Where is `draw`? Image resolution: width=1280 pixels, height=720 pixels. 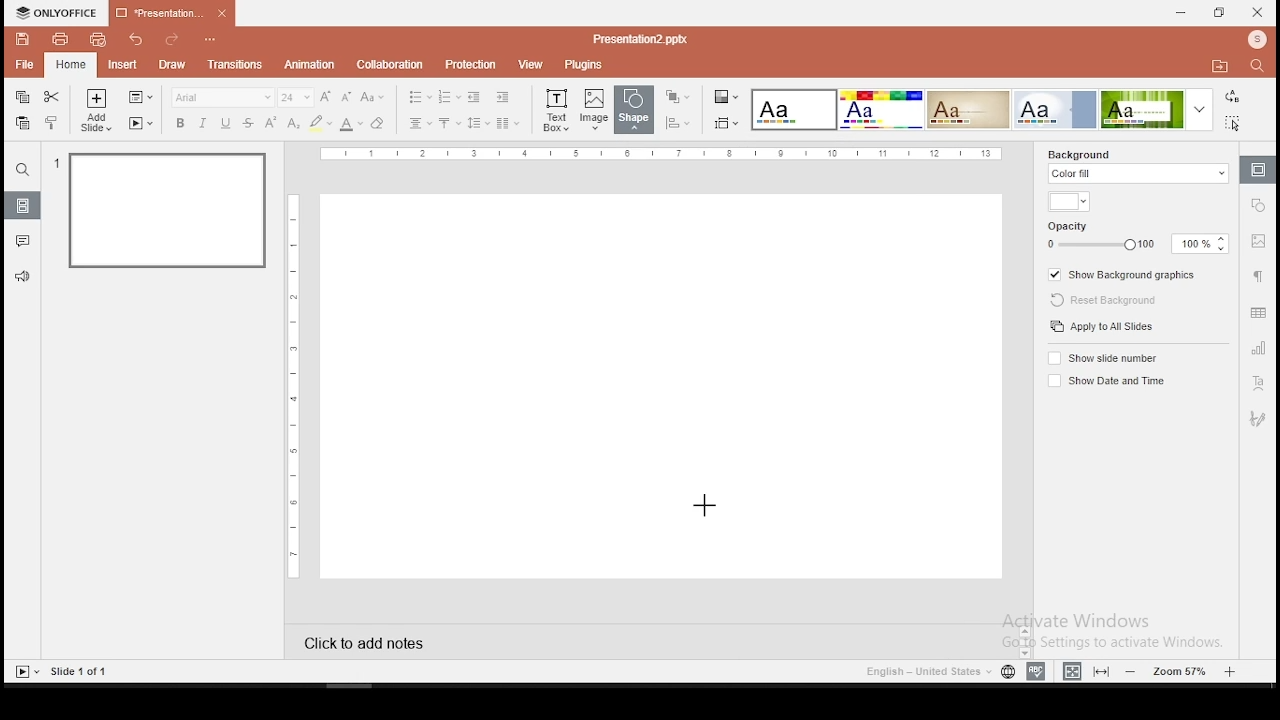
draw is located at coordinates (173, 65).